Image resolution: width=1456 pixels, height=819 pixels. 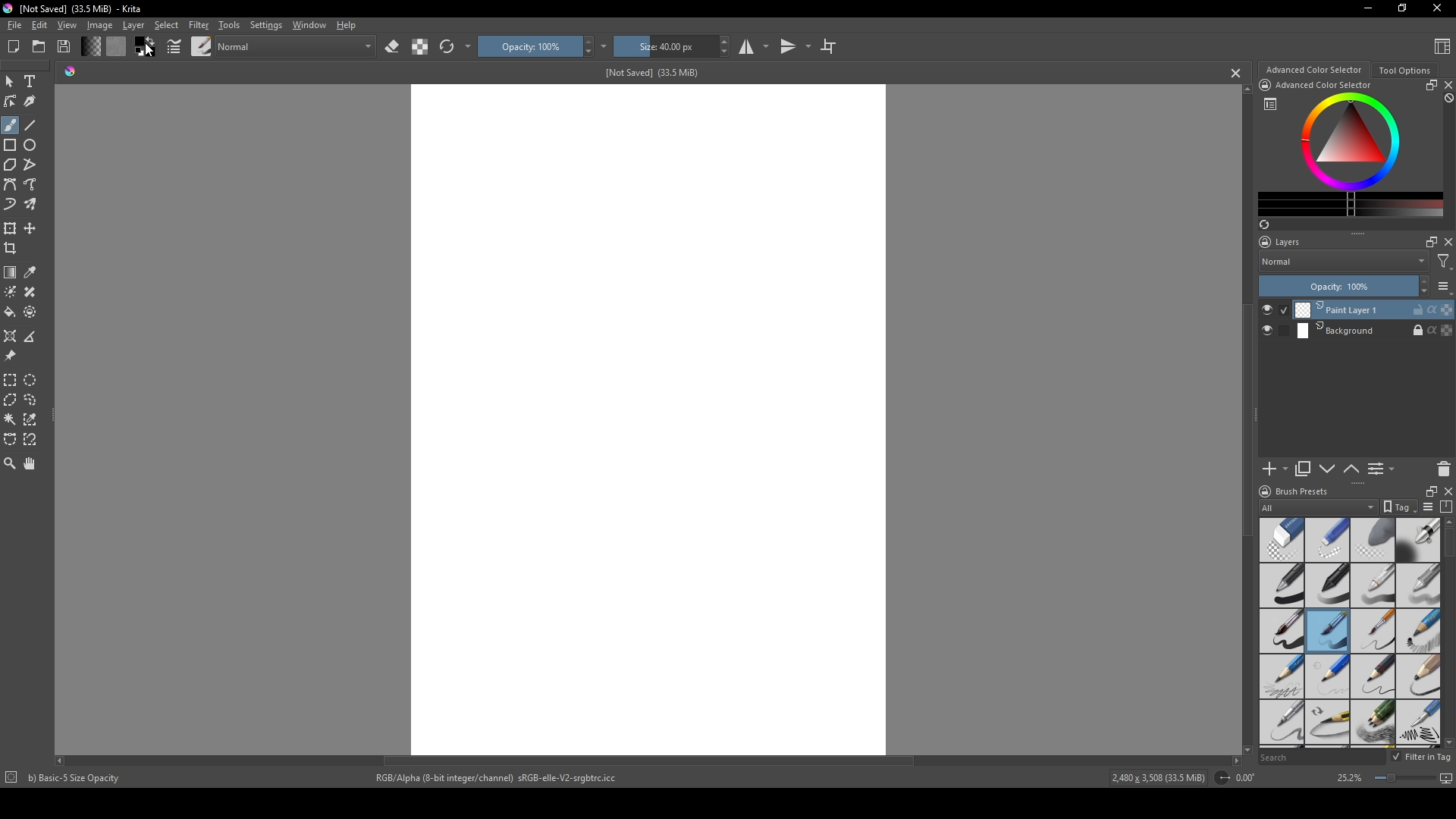 I want to click on icon, so click(x=1264, y=85).